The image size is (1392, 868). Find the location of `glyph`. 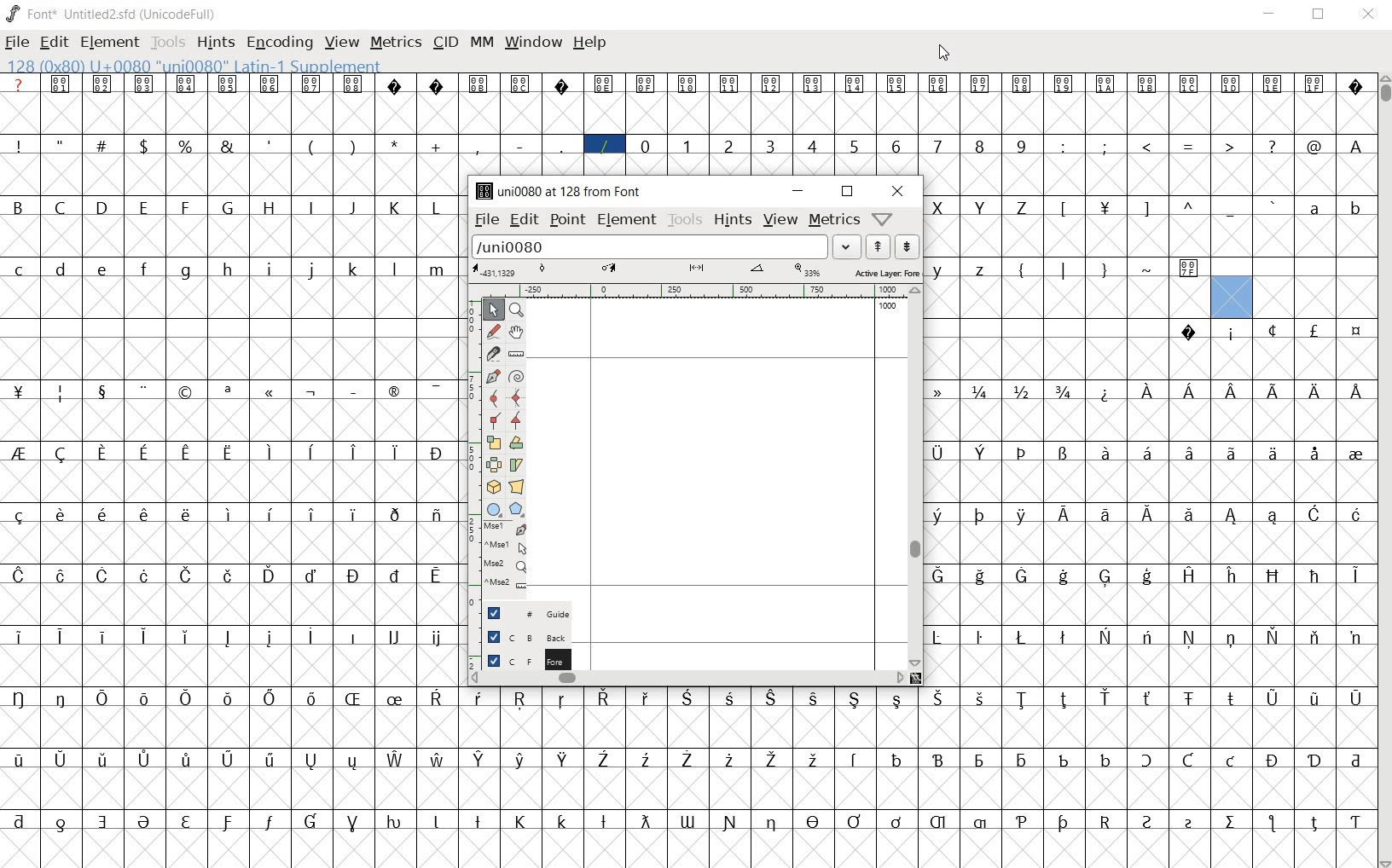

glyph is located at coordinates (939, 271).